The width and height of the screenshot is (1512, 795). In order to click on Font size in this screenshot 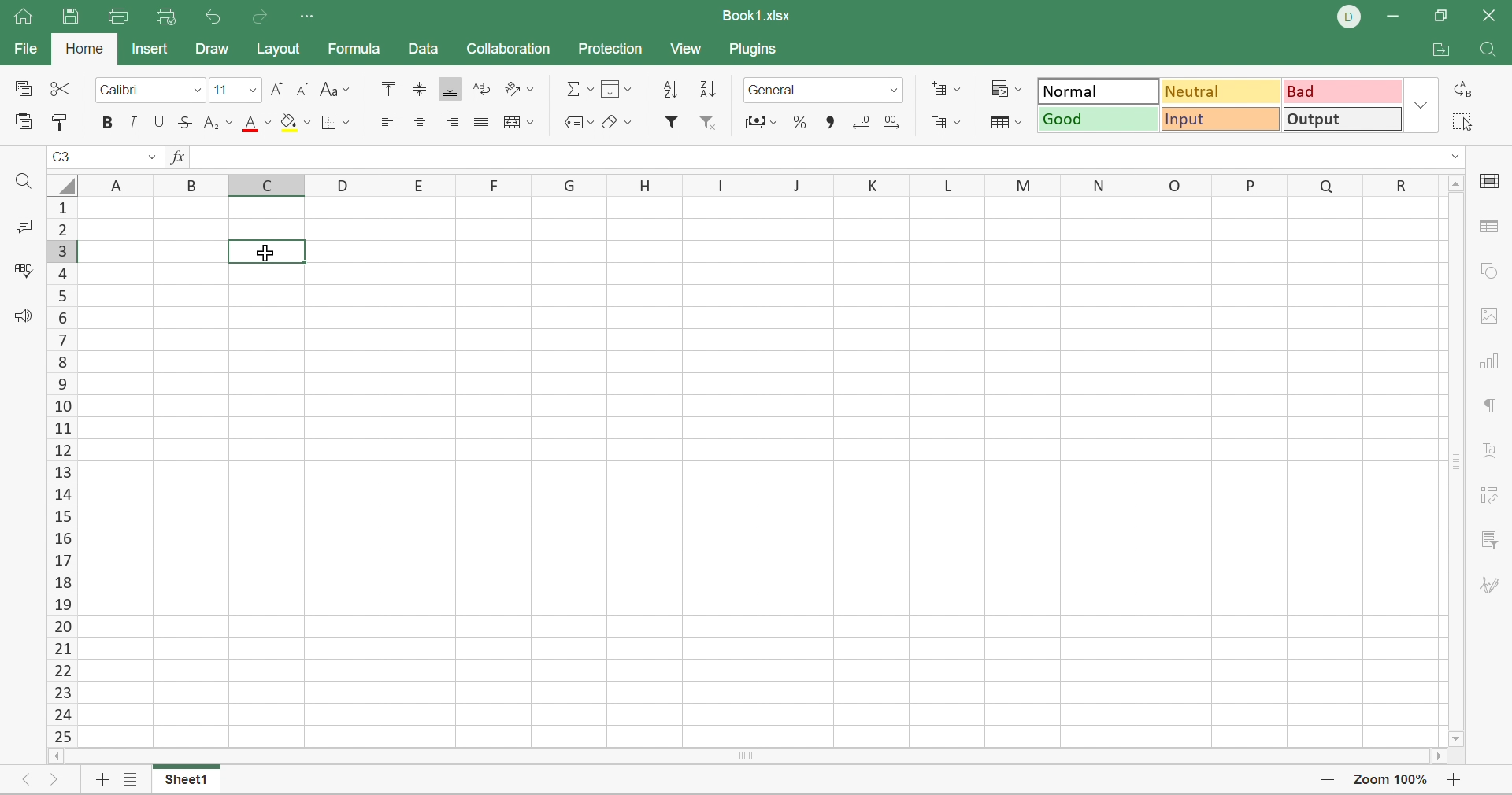, I will do `click(221, 91)`.